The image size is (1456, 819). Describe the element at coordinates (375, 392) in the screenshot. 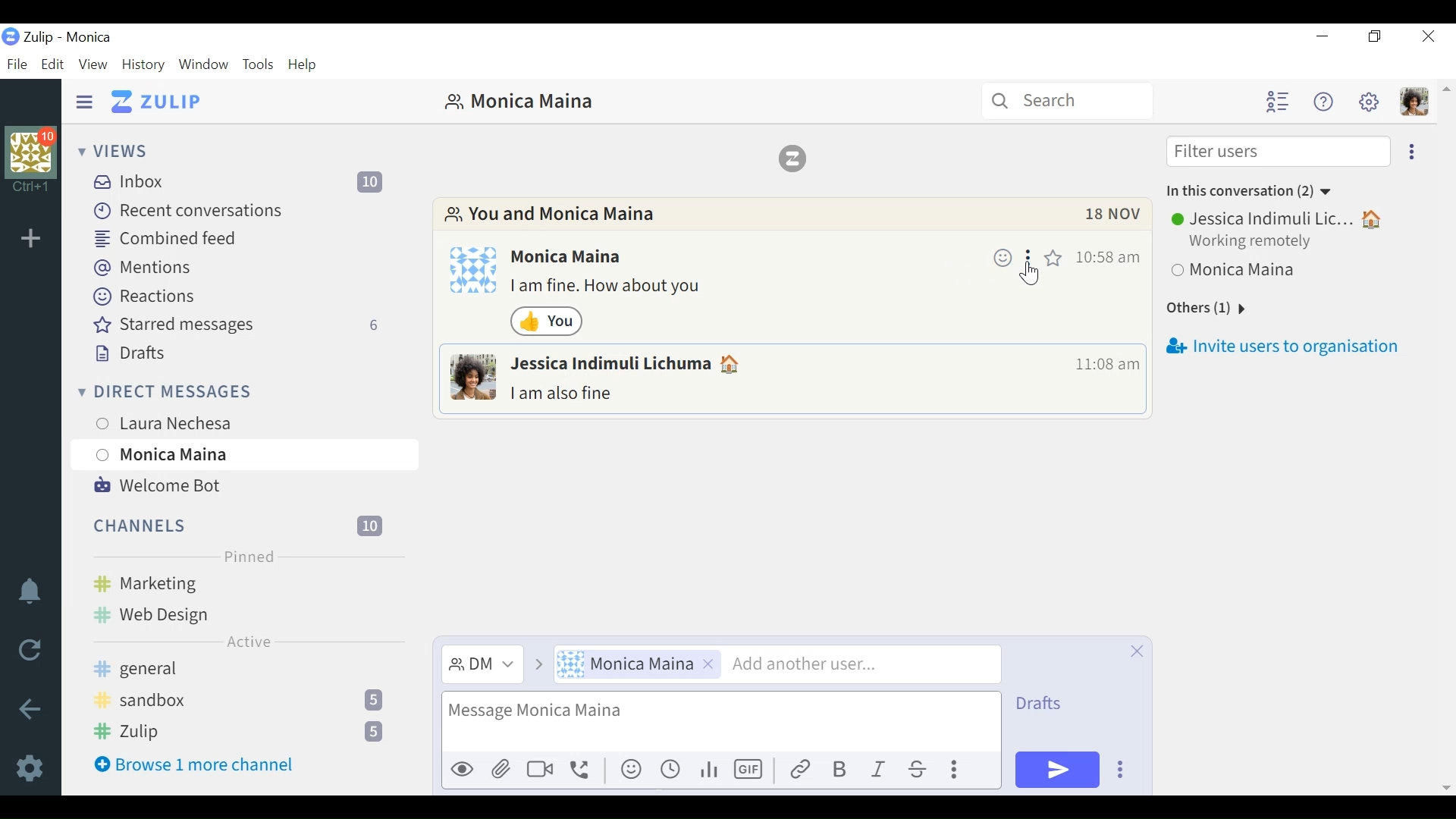

I see `New Direct message` at that location.